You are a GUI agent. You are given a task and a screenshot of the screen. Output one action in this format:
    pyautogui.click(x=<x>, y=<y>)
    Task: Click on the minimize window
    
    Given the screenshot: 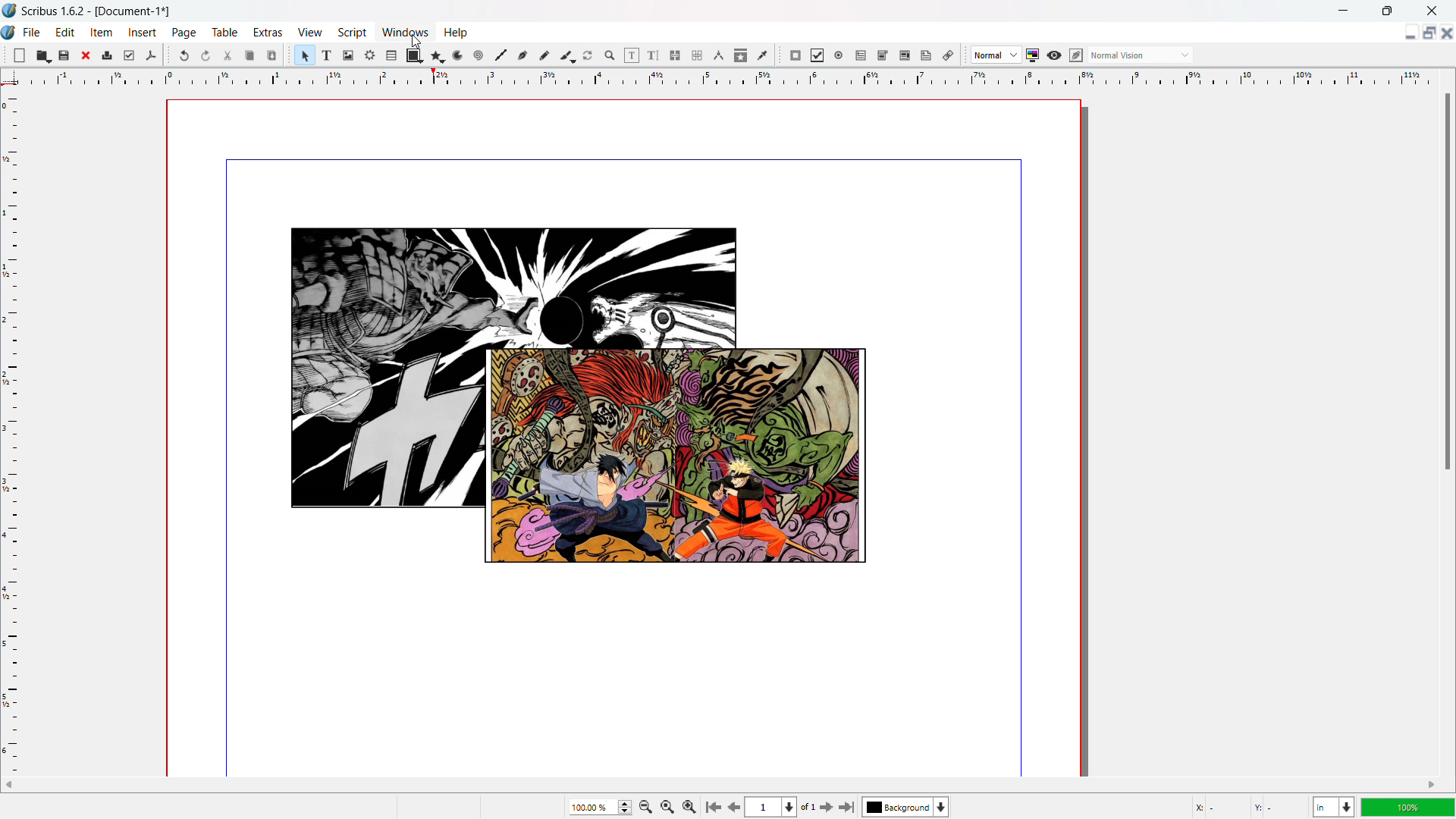 What is the action you would take?
    pyautogui.click(x=1345, y=11)
    